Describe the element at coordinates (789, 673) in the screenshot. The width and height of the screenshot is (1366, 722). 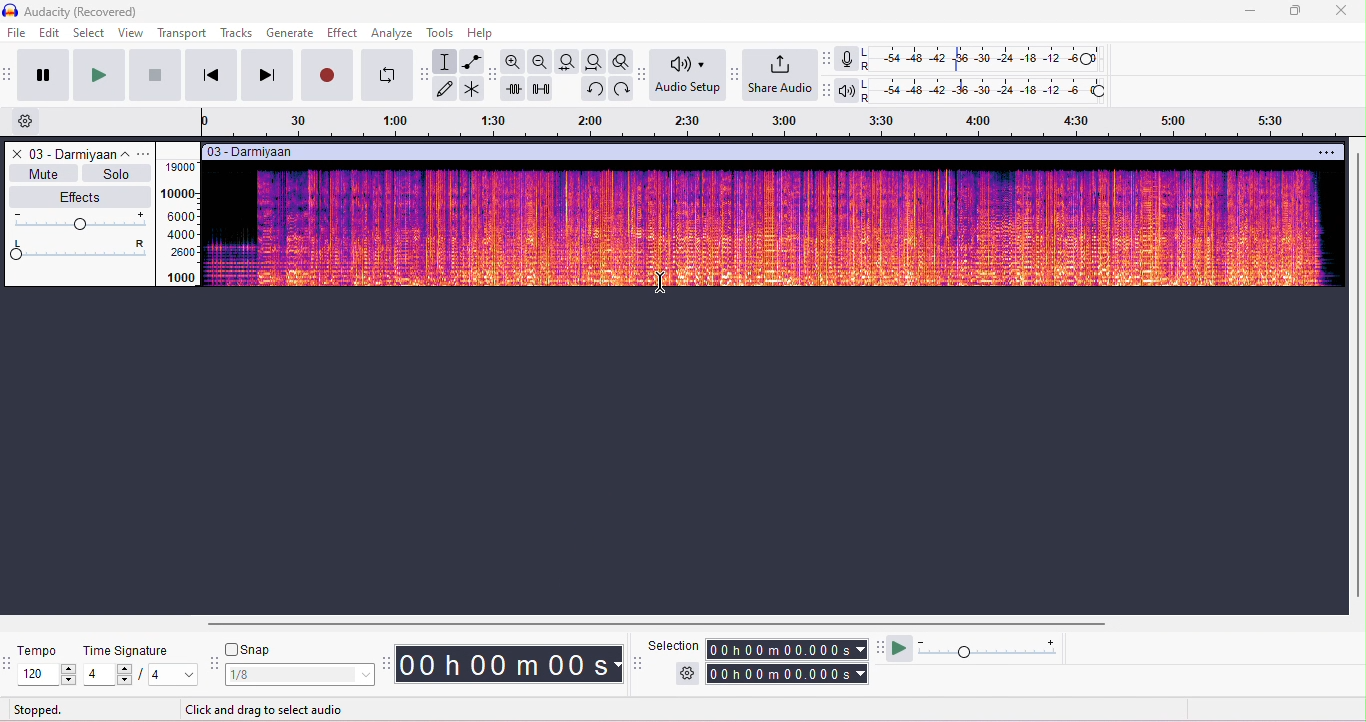
I see `selected time` at that location.